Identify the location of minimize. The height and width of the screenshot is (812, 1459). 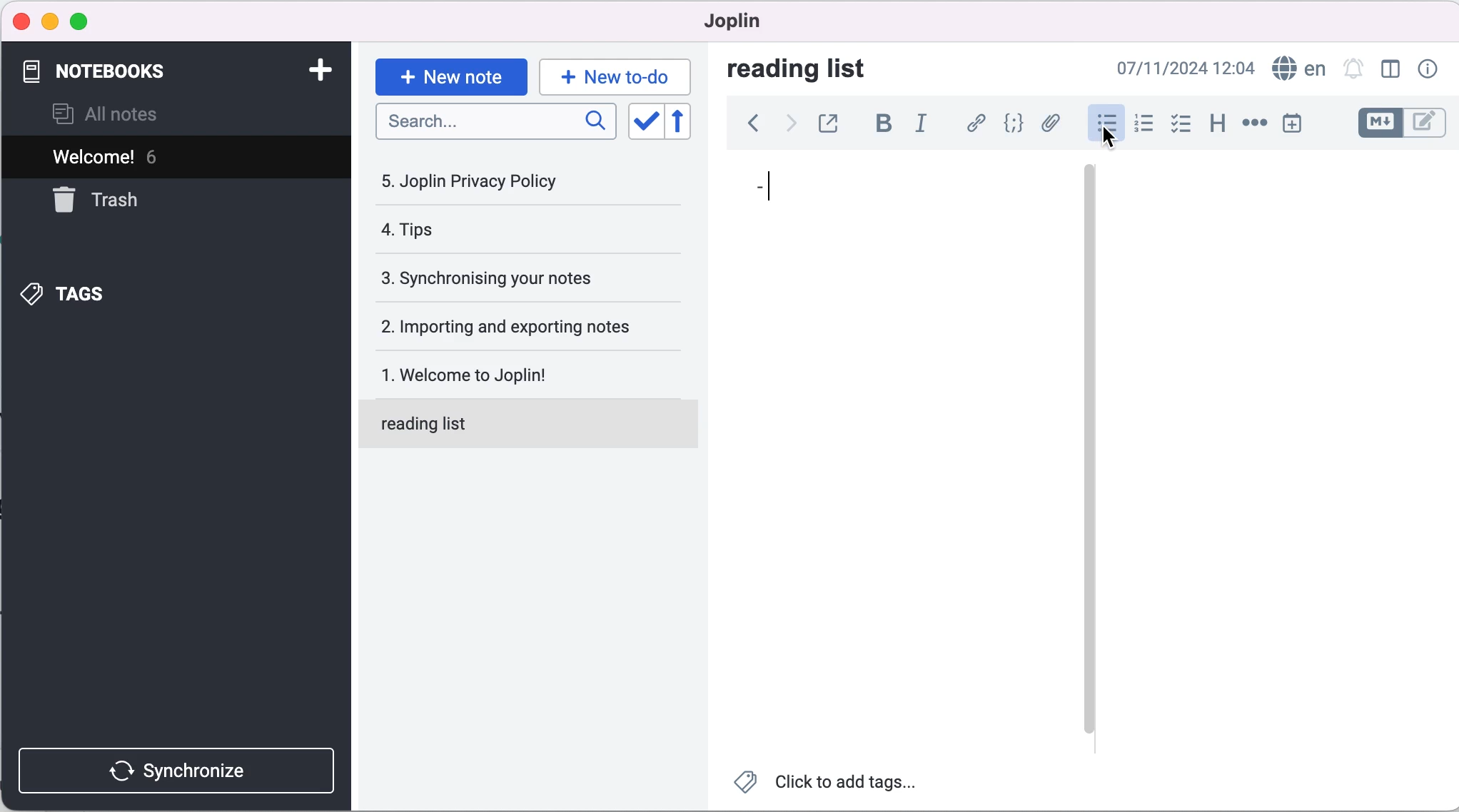
(50, 21).